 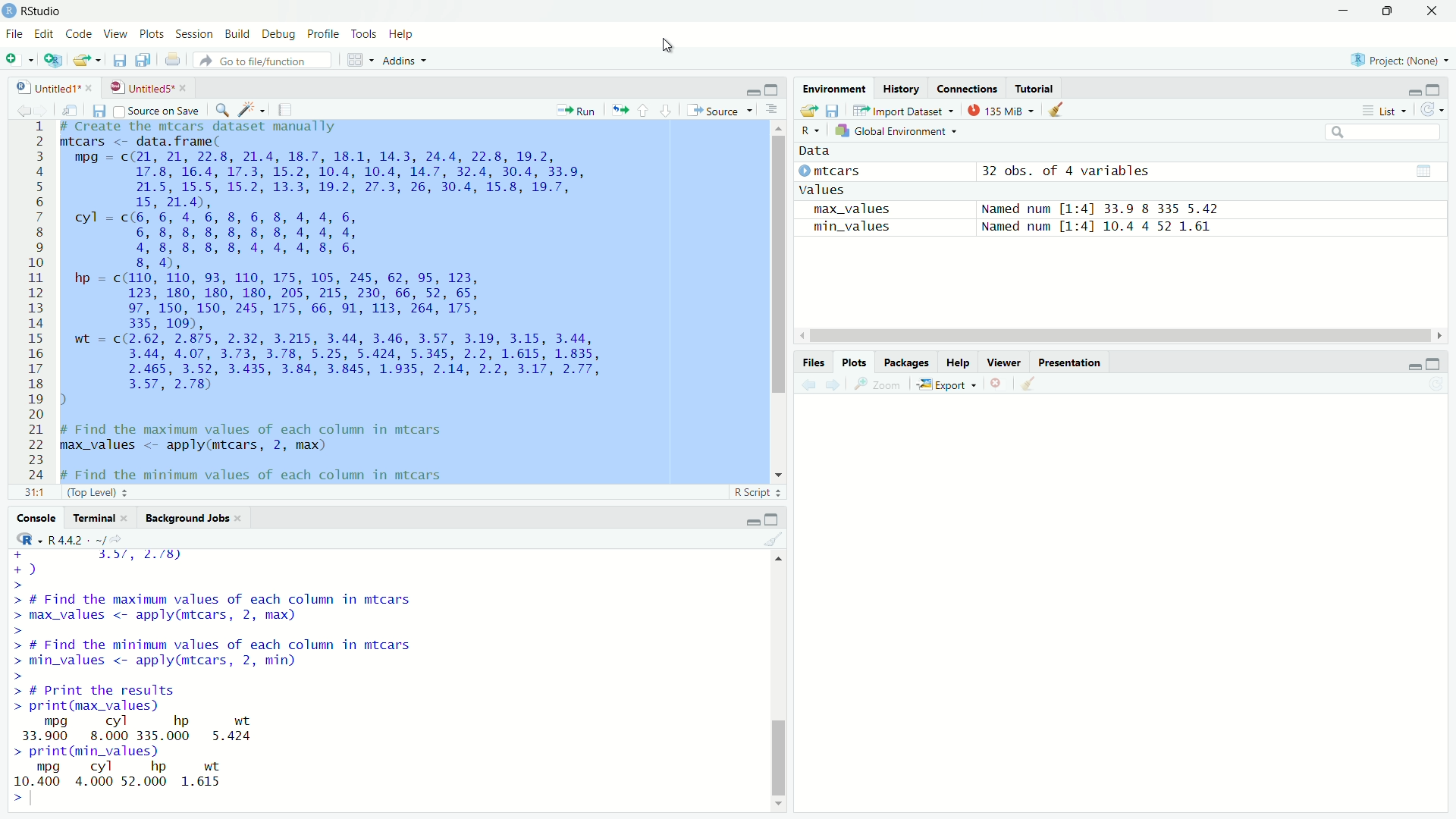 What do you see at coordinates (744, 519) in the screenshot?
I see `minimise` at bounding box center [744, 519].